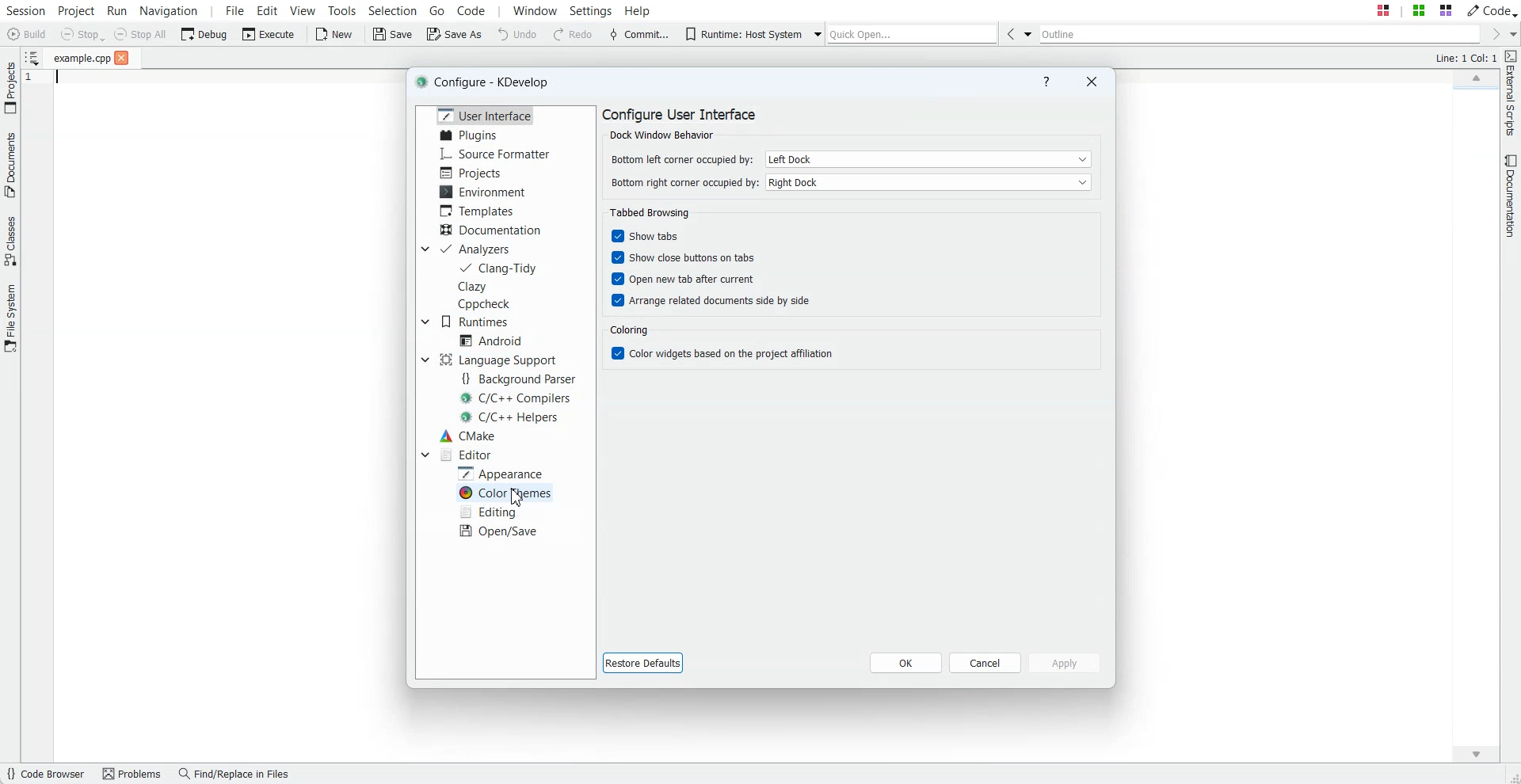 The height and width of the screenshot is (784, 1521). What do you see at coordinates (642, 662) in the screenshot?
I see `Restore Defaults` at bounding box center [642, 662].